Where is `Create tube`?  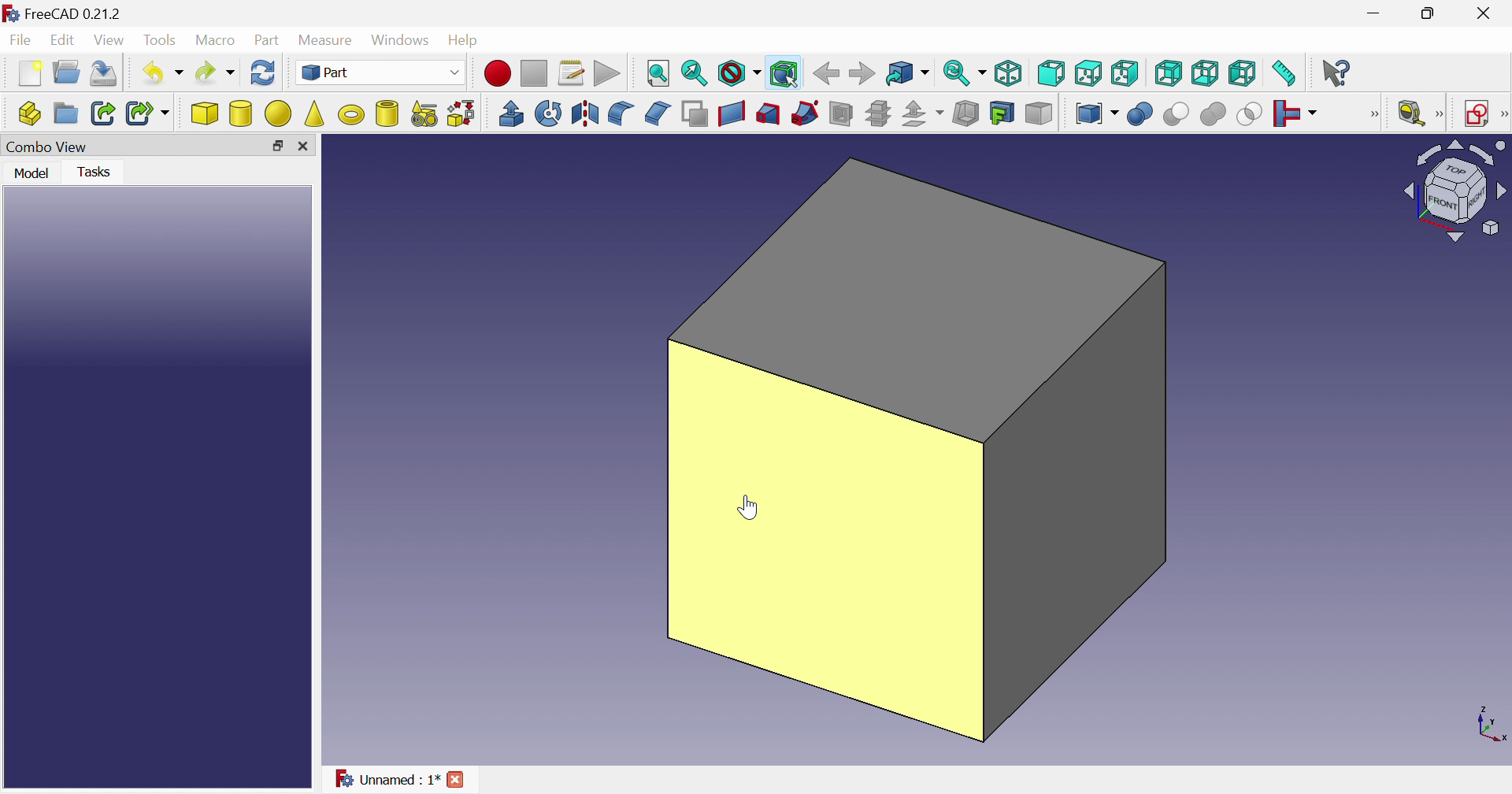
Create tube is located at coordinates (387, 113).